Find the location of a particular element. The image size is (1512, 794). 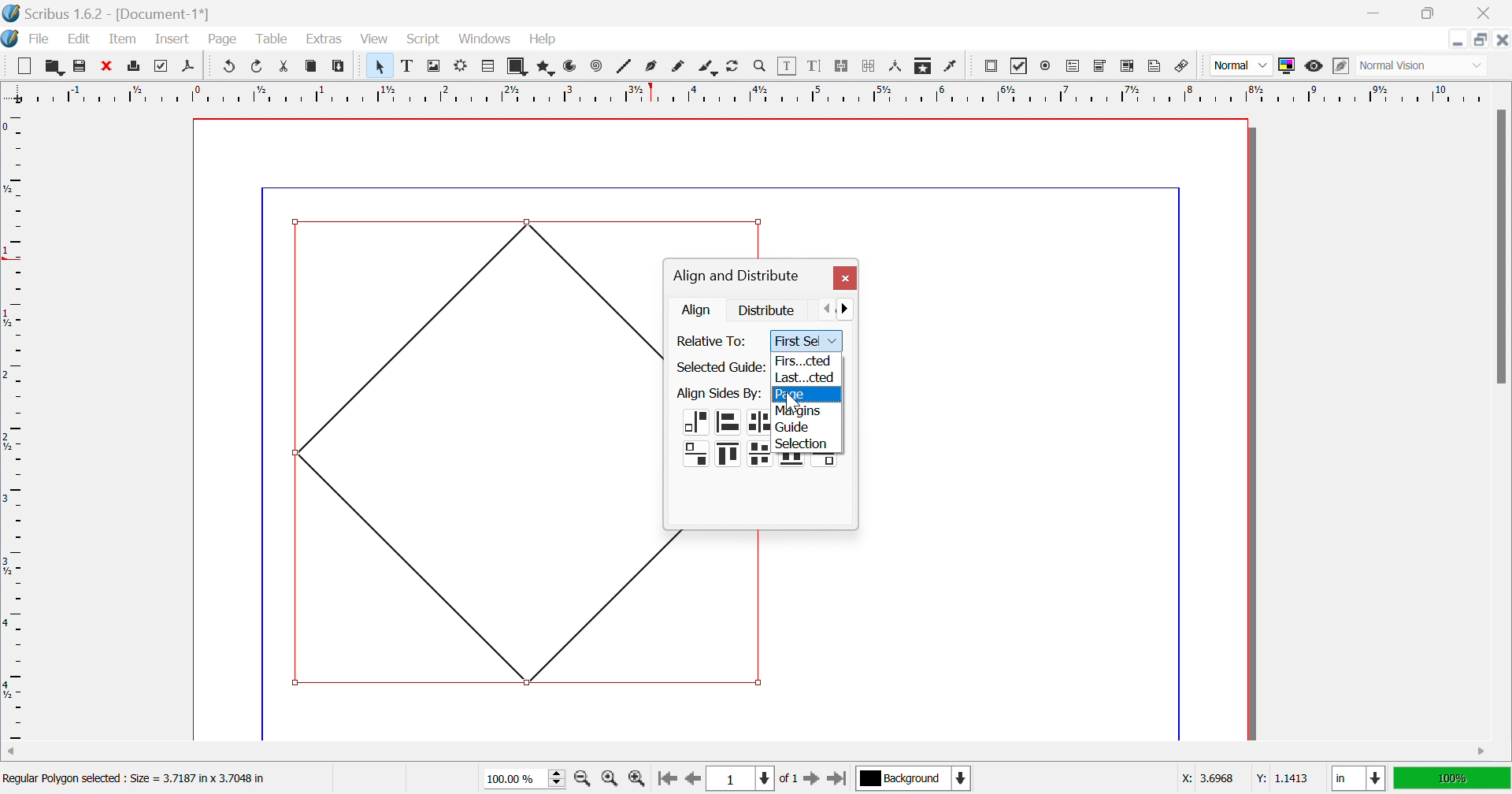

View is located at coordinates (374, 39).